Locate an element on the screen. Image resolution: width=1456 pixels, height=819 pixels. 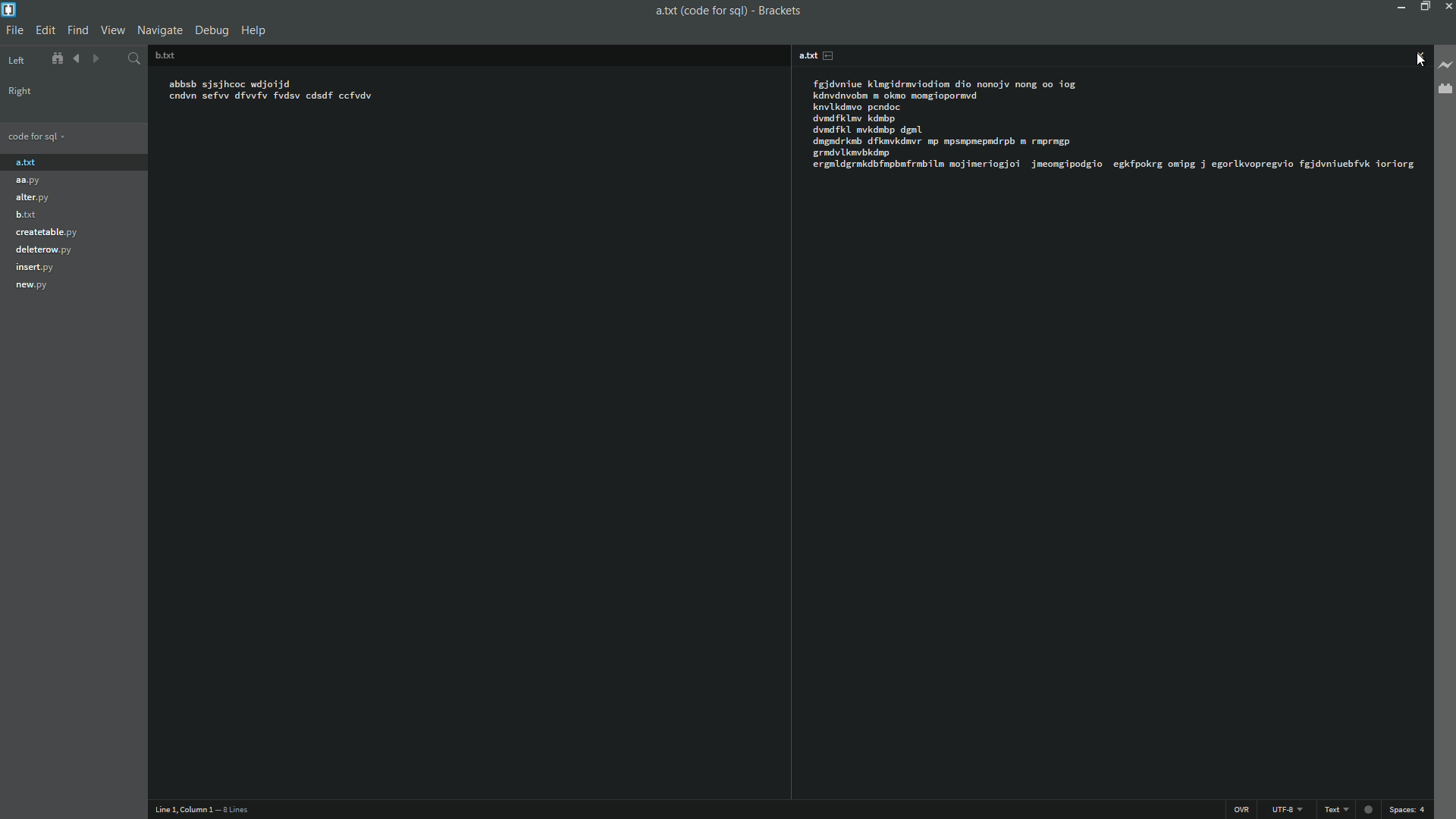
help is located at coordinates (254, 31).